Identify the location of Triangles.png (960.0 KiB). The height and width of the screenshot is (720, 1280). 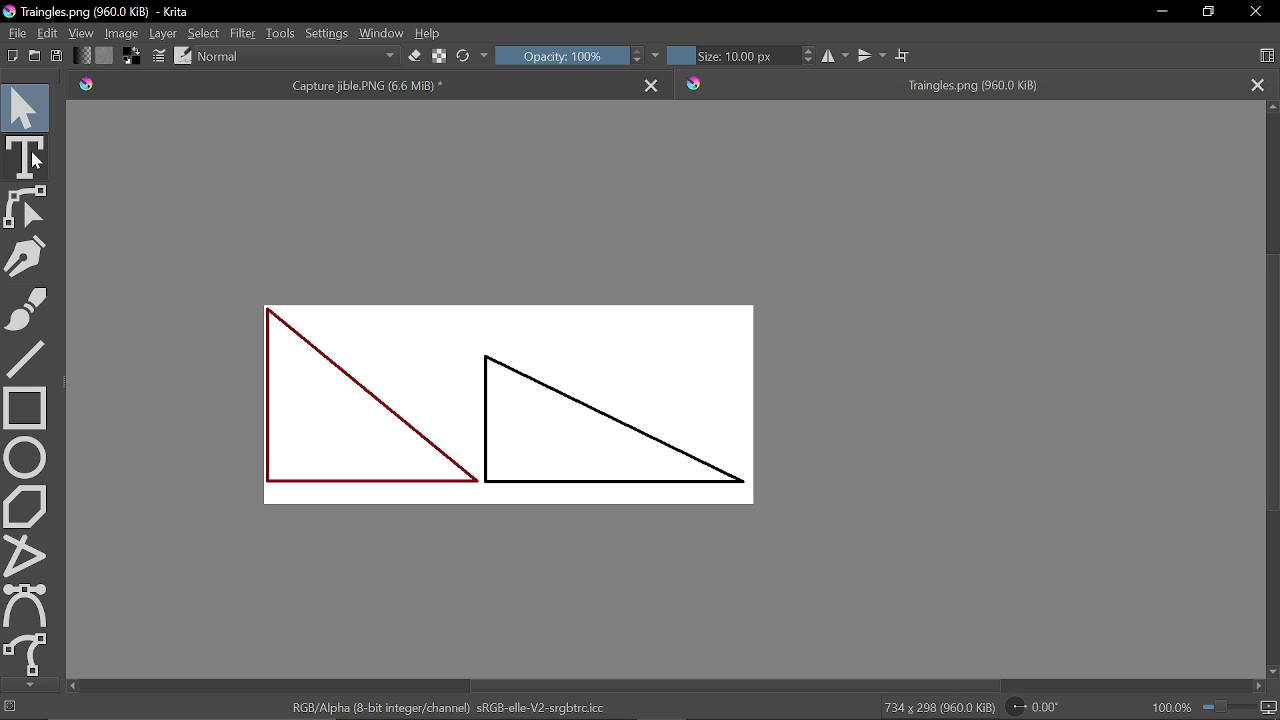
(117, 12).